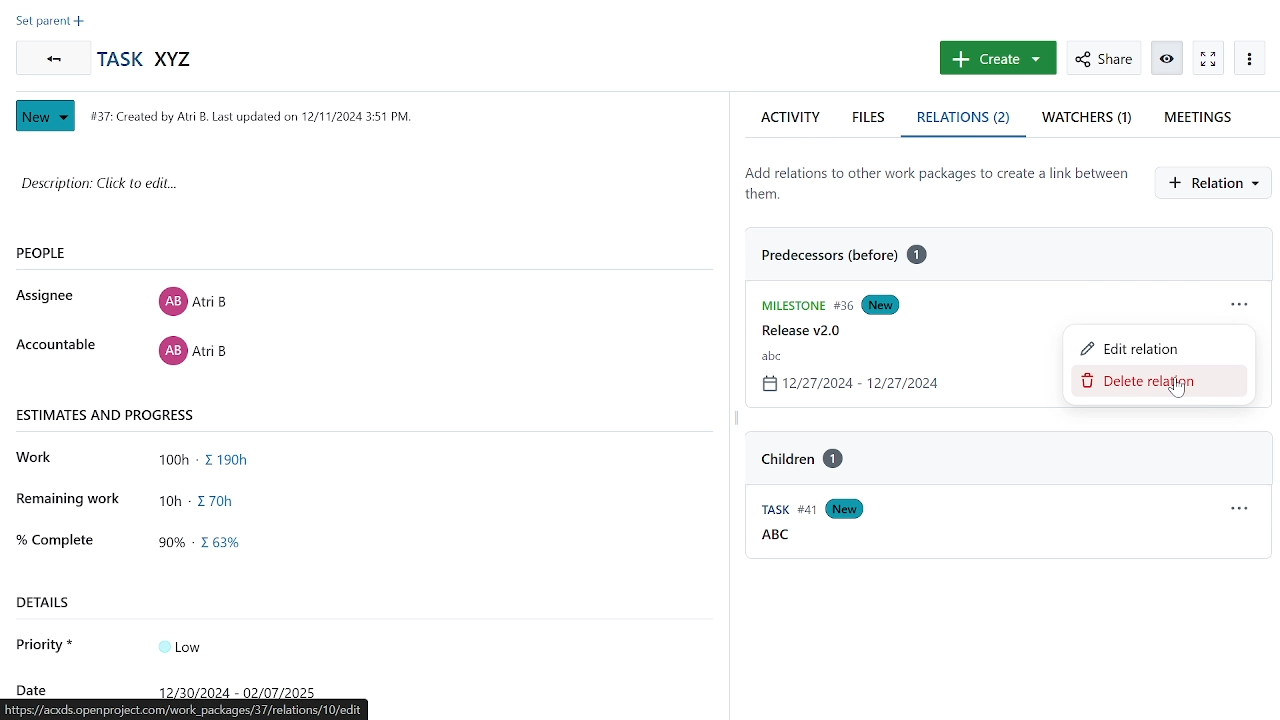 This screenshot has height=720, width=1280. What do you see at coordinates (1158, 348) in the screenshot?
I see `edit relation` at bounding box center [1158, 348].